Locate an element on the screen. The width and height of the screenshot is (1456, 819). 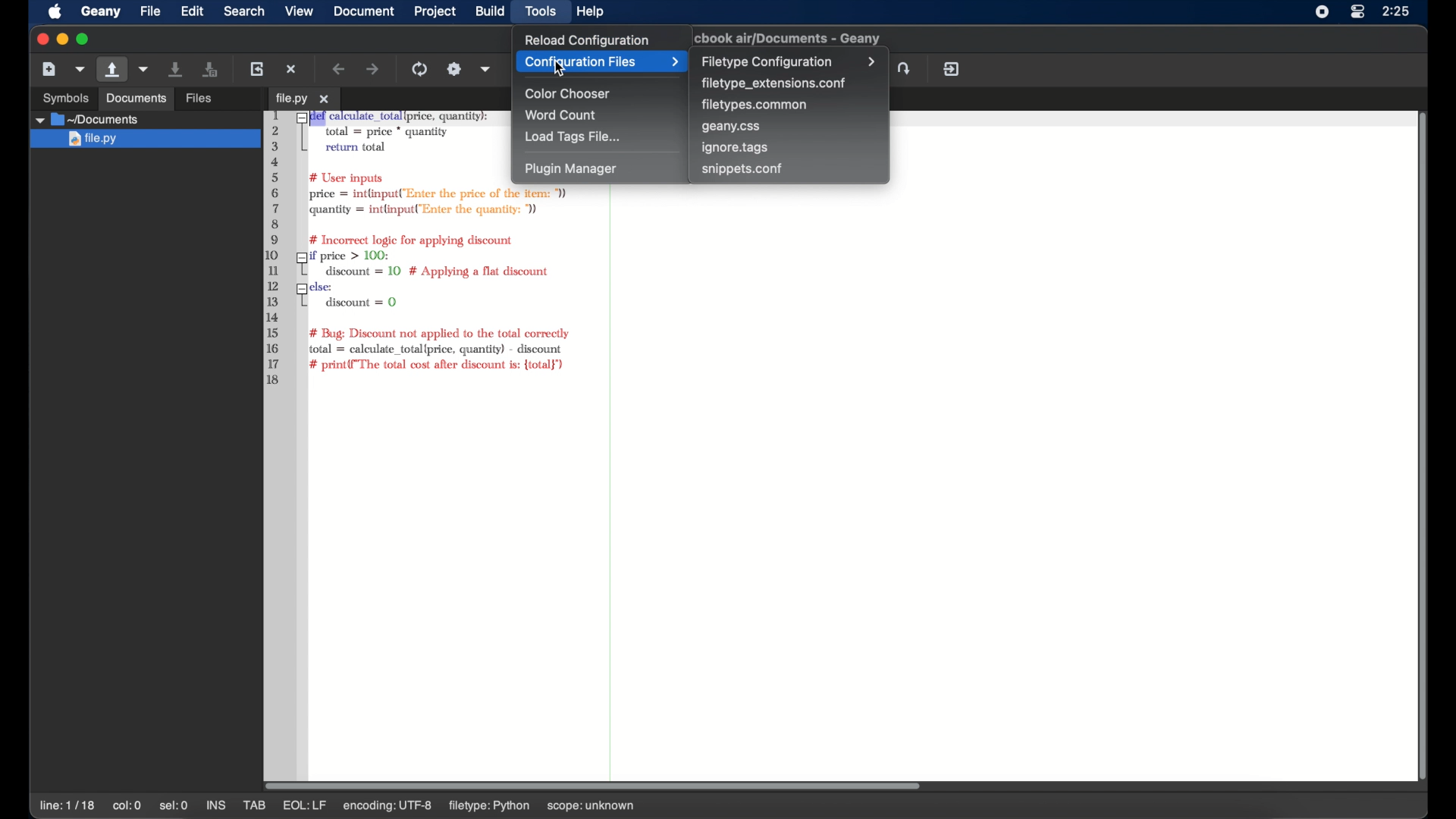
choose more build actions is located at coordinates (486, 69).